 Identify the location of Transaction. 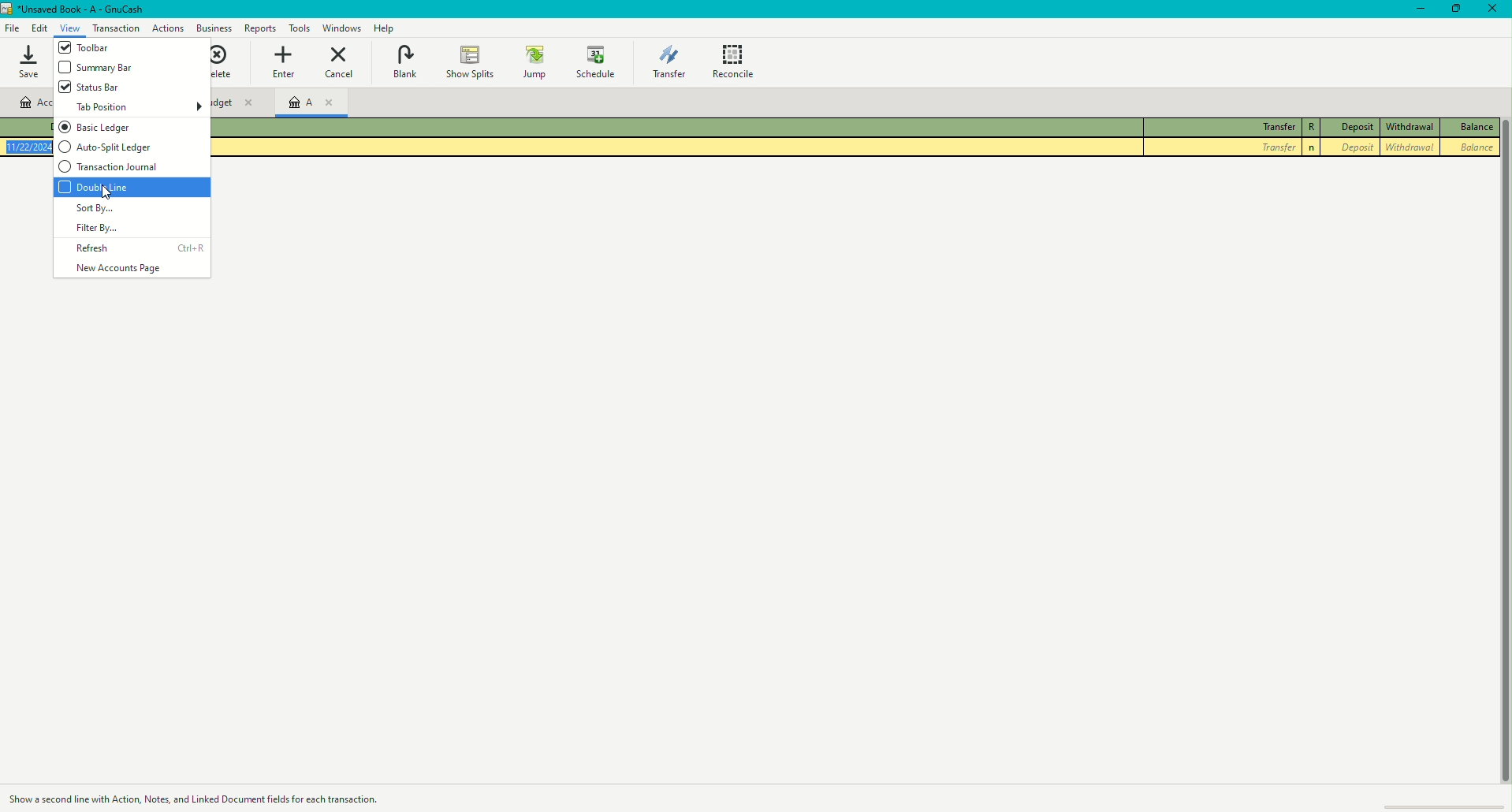
(115, 29).